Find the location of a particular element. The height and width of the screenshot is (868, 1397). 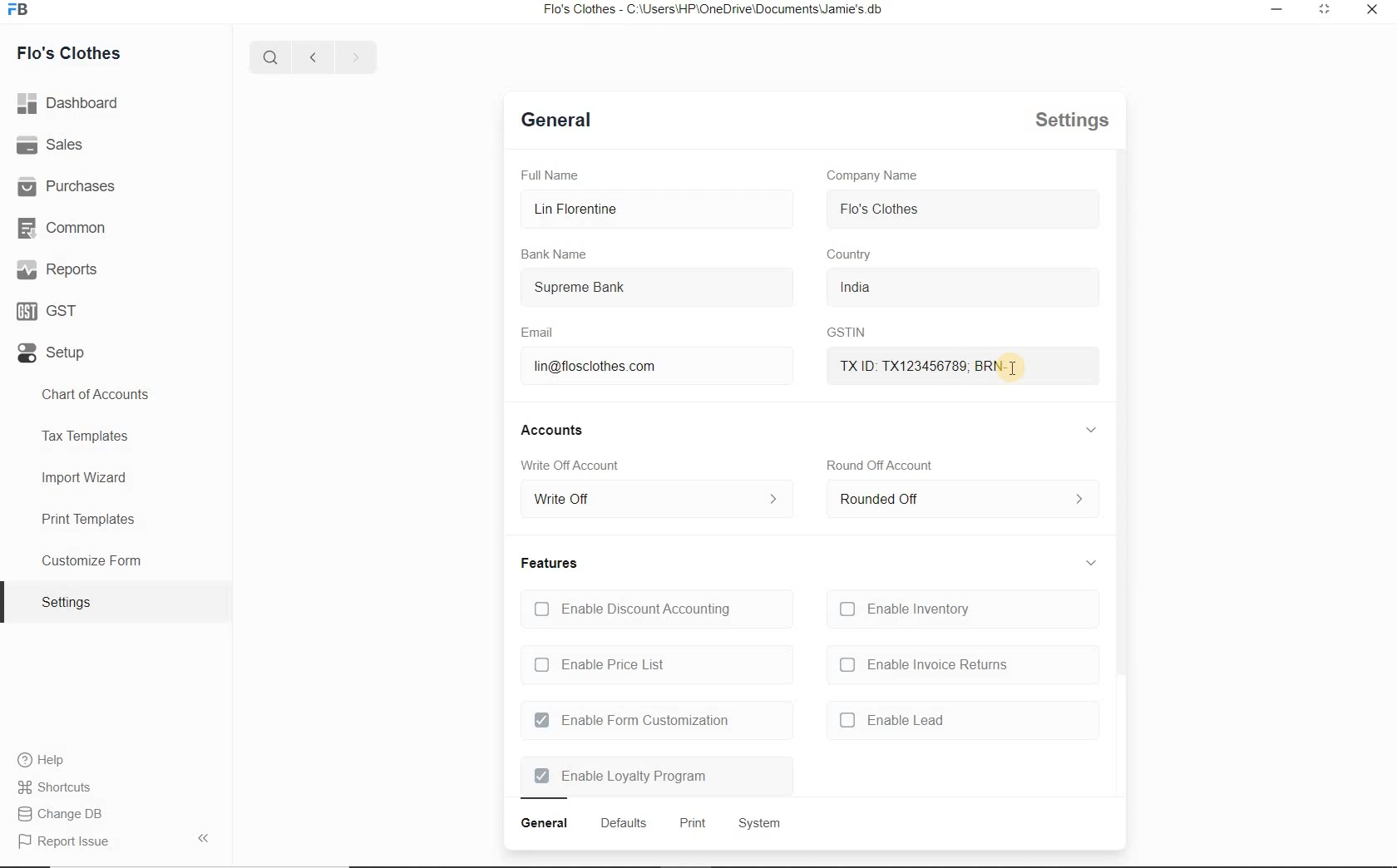

general is located at coordinates (558, 123).